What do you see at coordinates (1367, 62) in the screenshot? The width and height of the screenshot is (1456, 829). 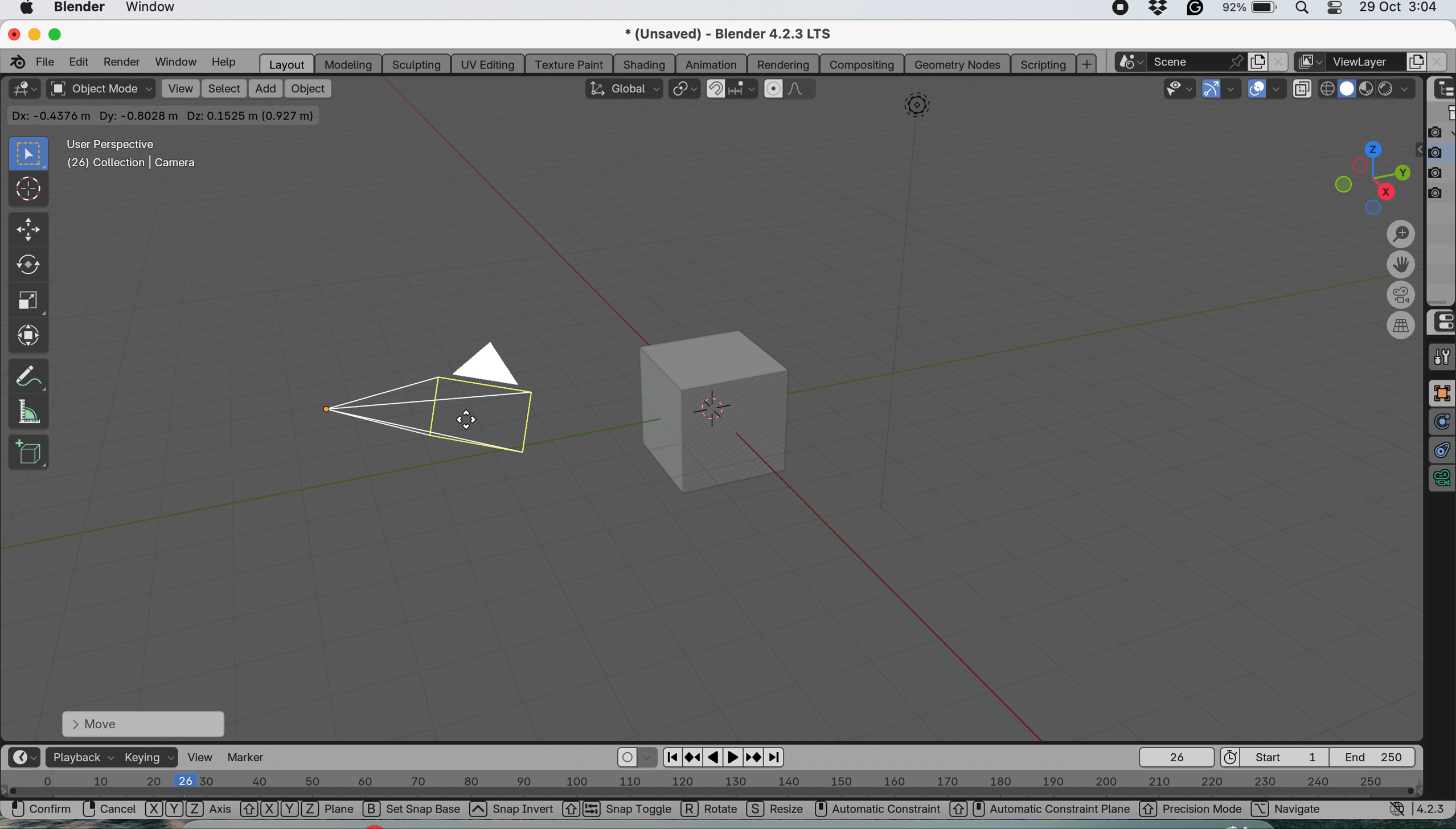 I see `view layer` at bounding box center [1367, 62].